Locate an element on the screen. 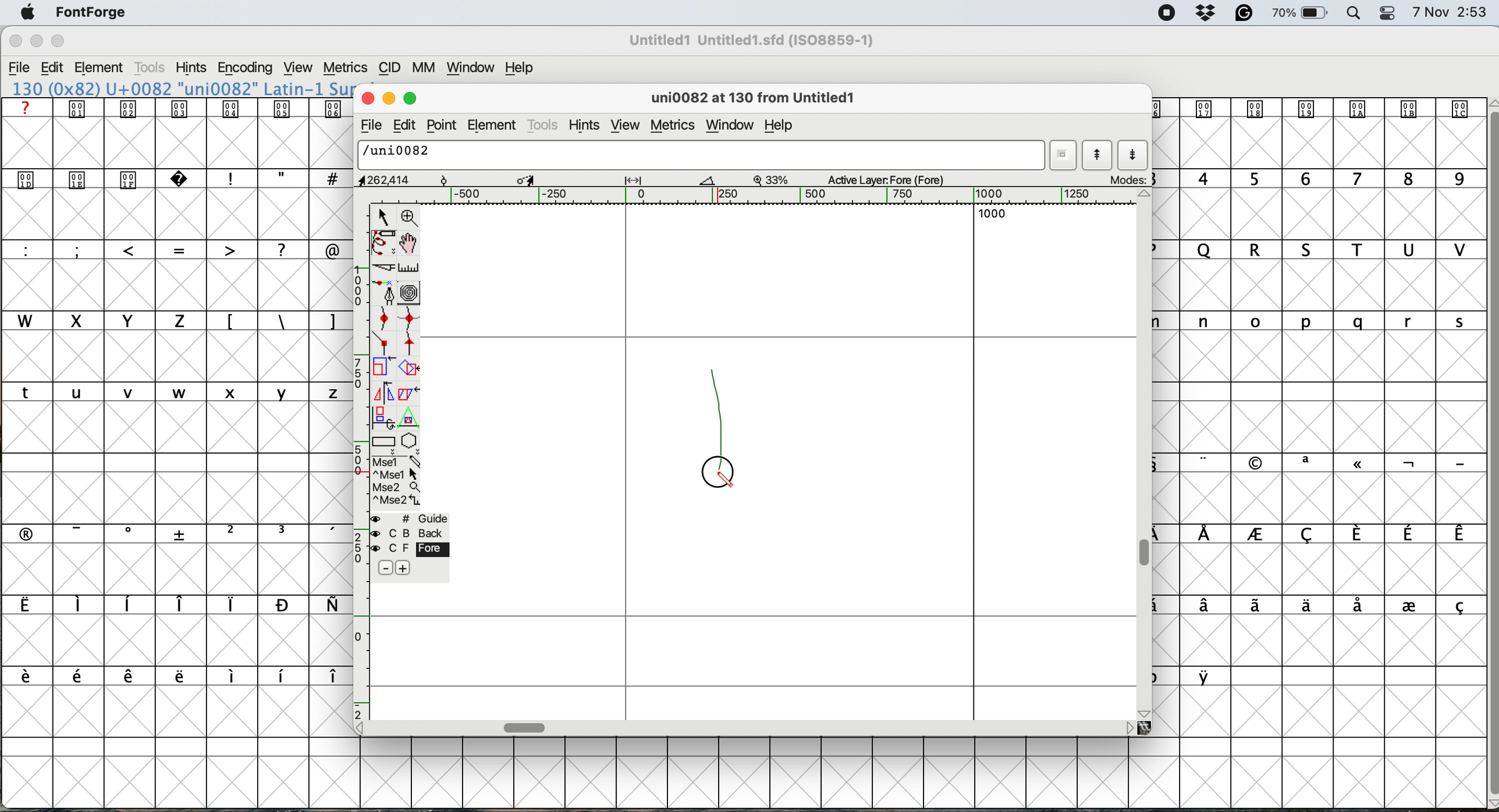 The height and width of the screenshot is (812, 1499). screen recorder is located at coordinates (1166, 15).